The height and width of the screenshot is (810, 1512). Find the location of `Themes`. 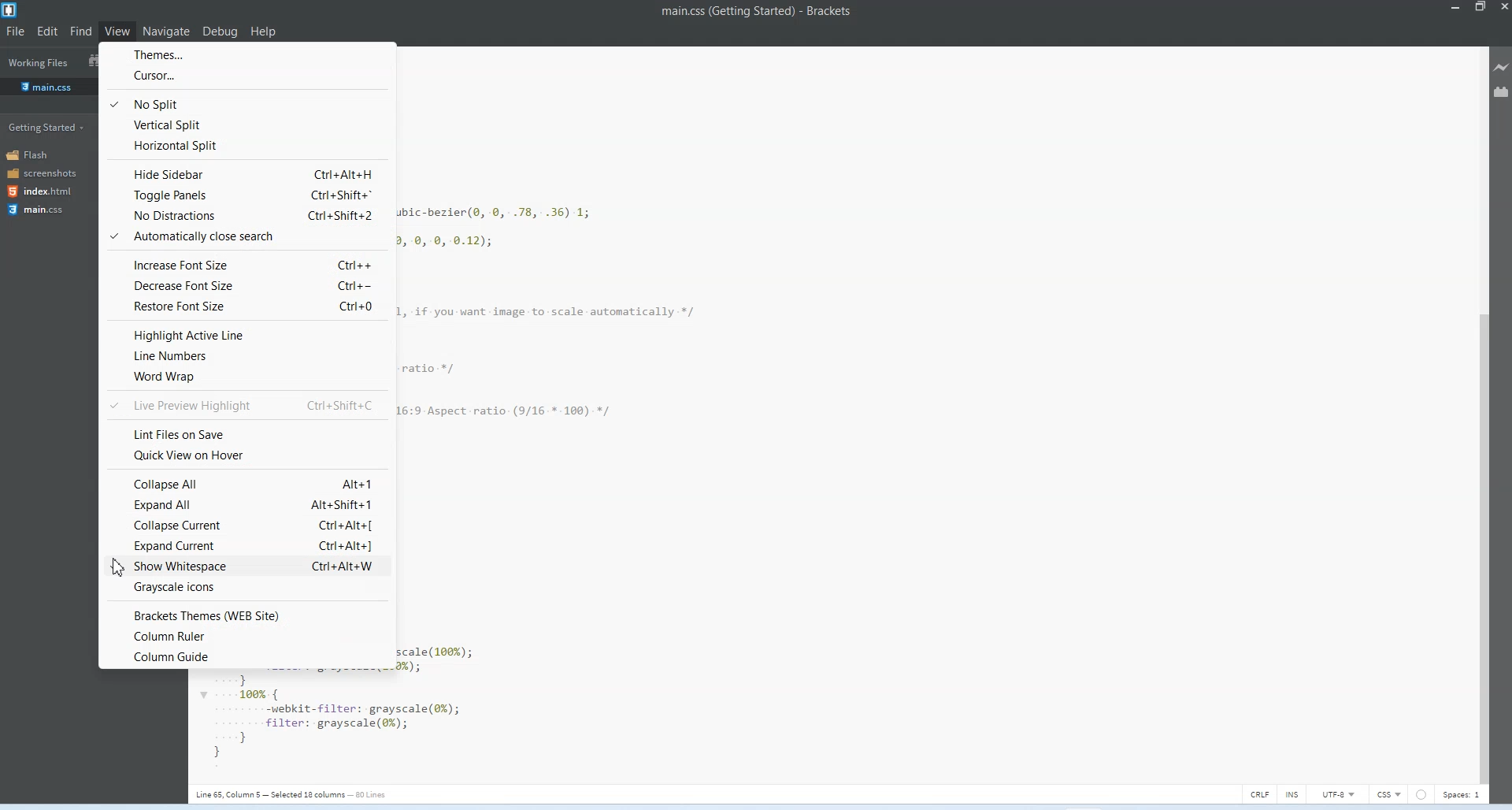

Themes is located at coordinates (250, 53).